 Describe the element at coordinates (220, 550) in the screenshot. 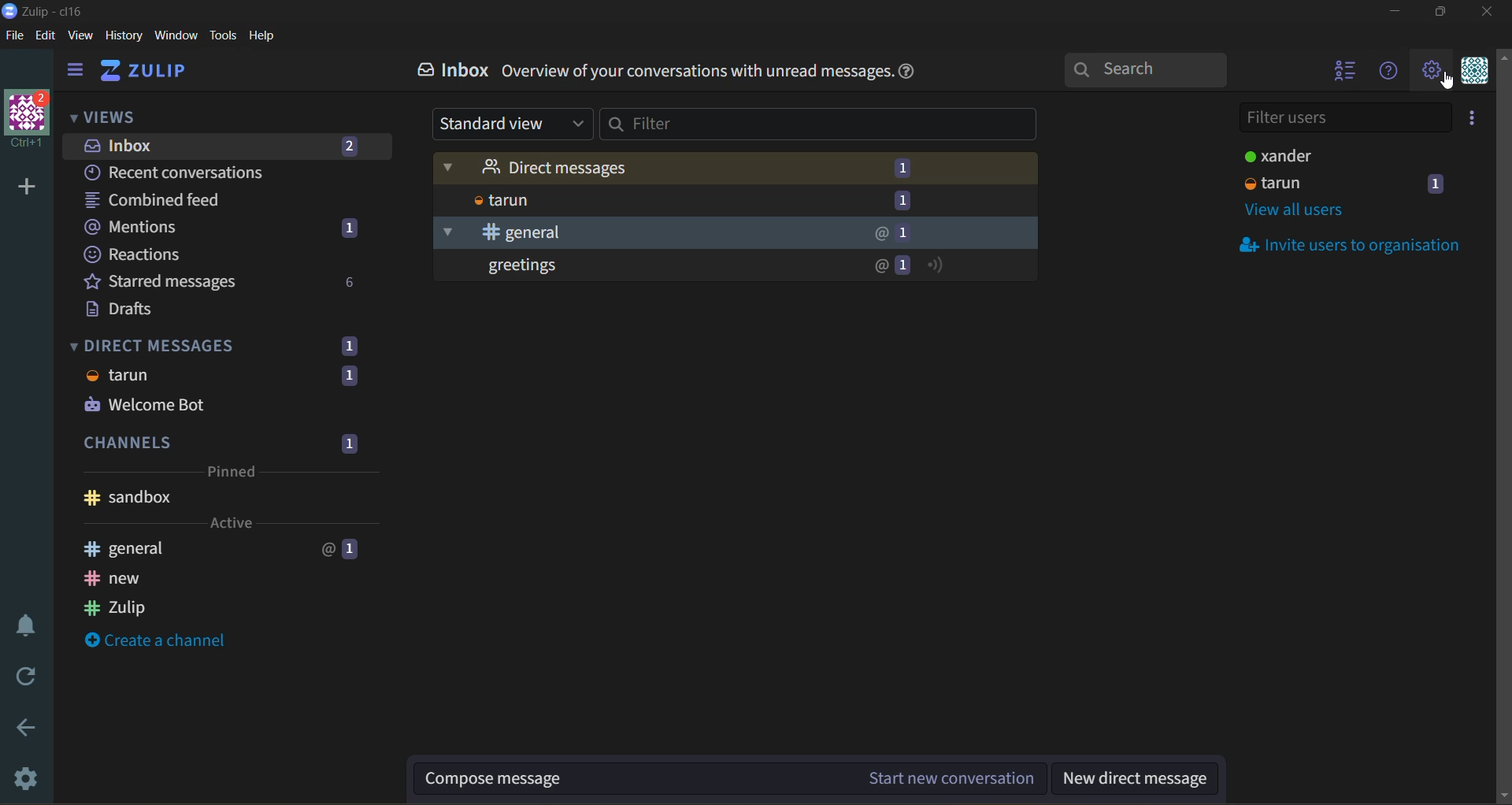

I see `general` at that location.